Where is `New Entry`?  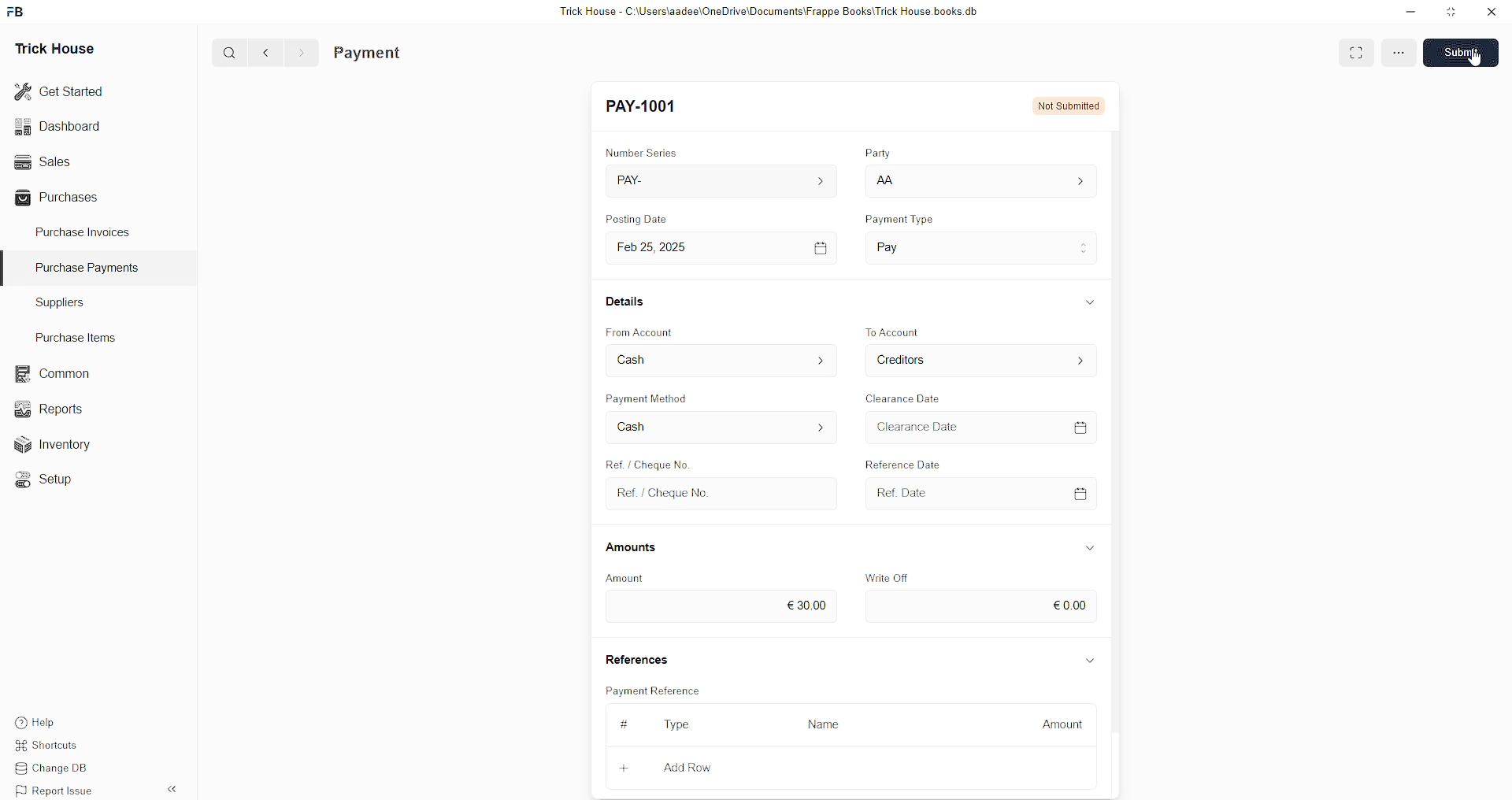
New Entry is located at coordinates (649, 107).